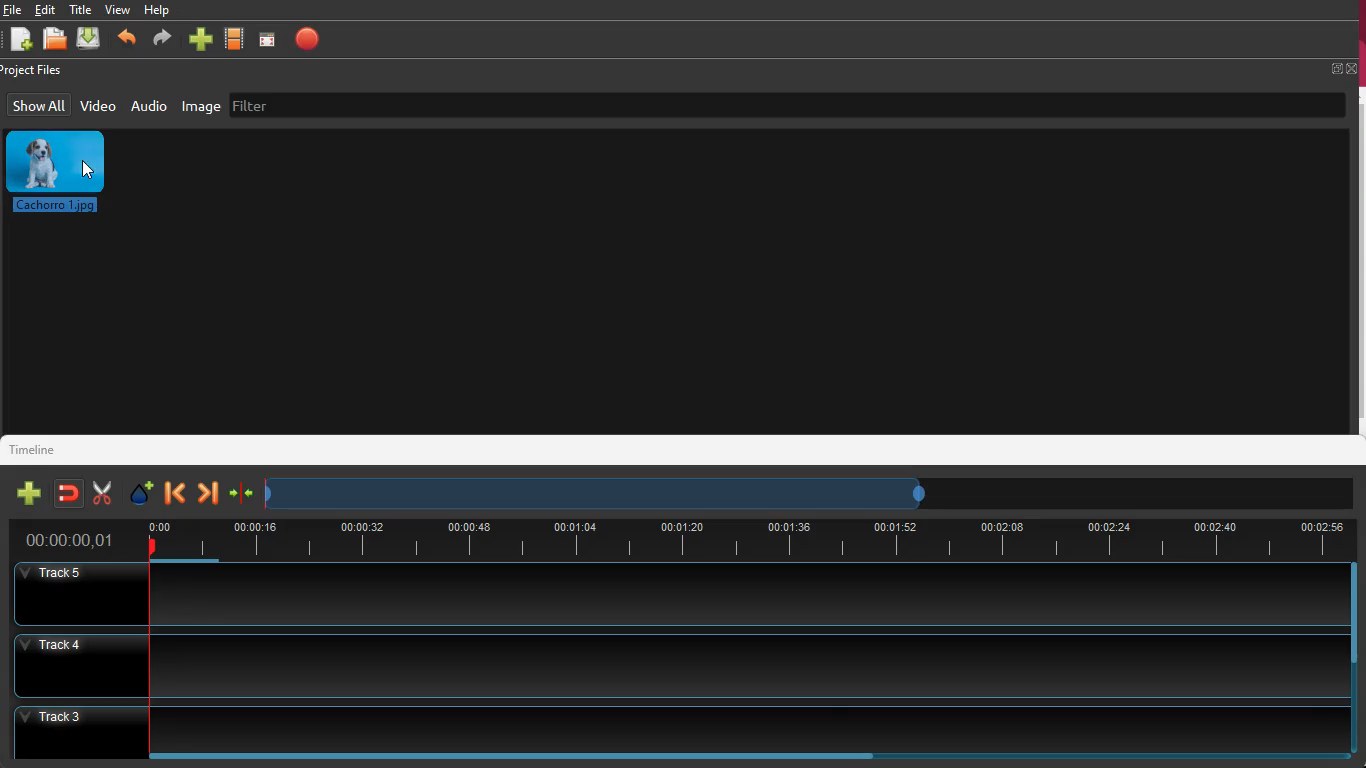 The height and width of the screenshot is (768, 1366). Describe the element at coordinates (151, 106) in the screenshot. I see `audio` at that location.